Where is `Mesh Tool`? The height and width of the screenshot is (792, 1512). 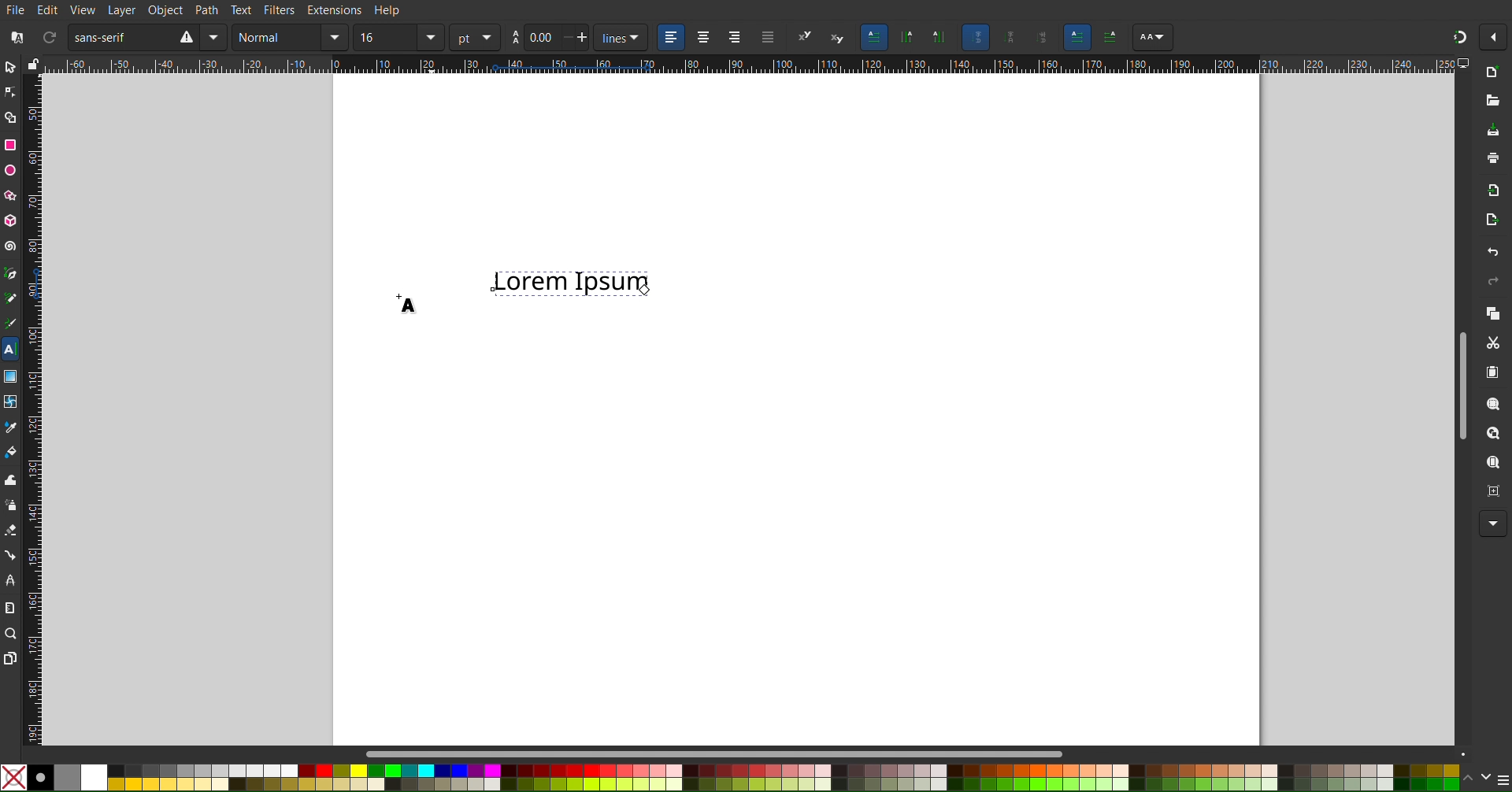 Mesh Tool is located at coordinates (9, 401).